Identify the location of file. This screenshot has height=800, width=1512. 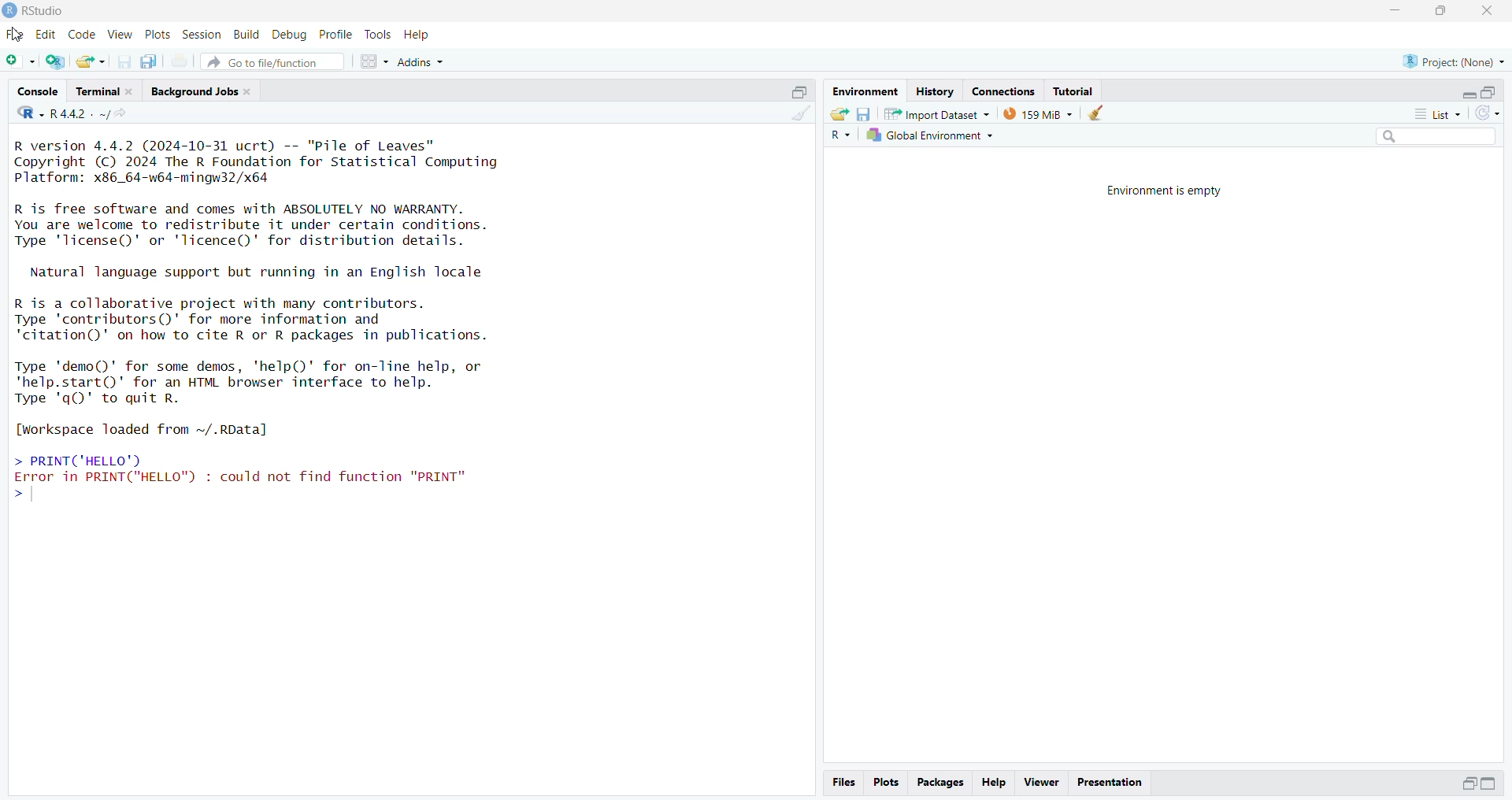
(17, 35).